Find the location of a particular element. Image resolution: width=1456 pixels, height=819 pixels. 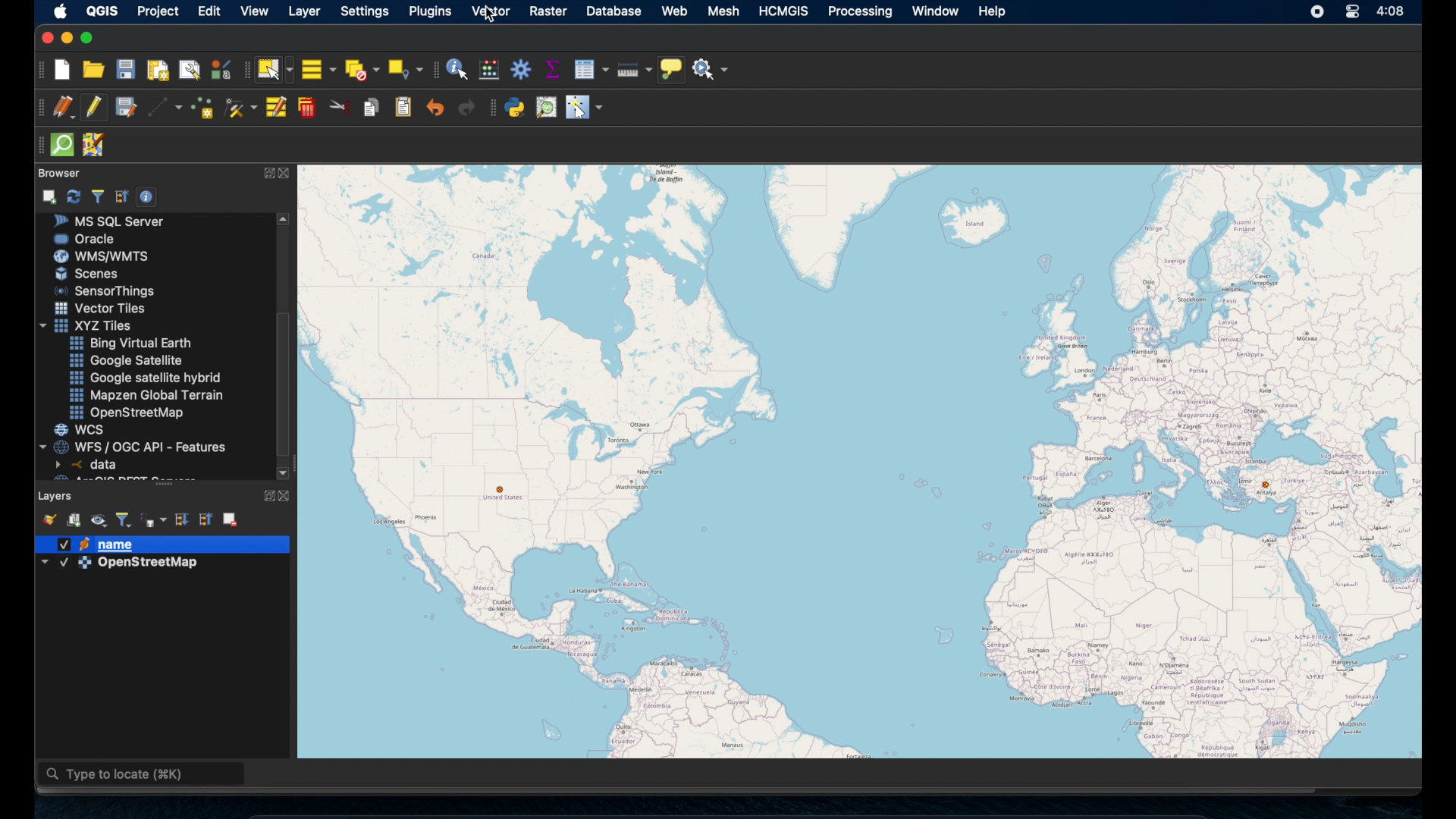

measure line is located at coordinates (633, 71).